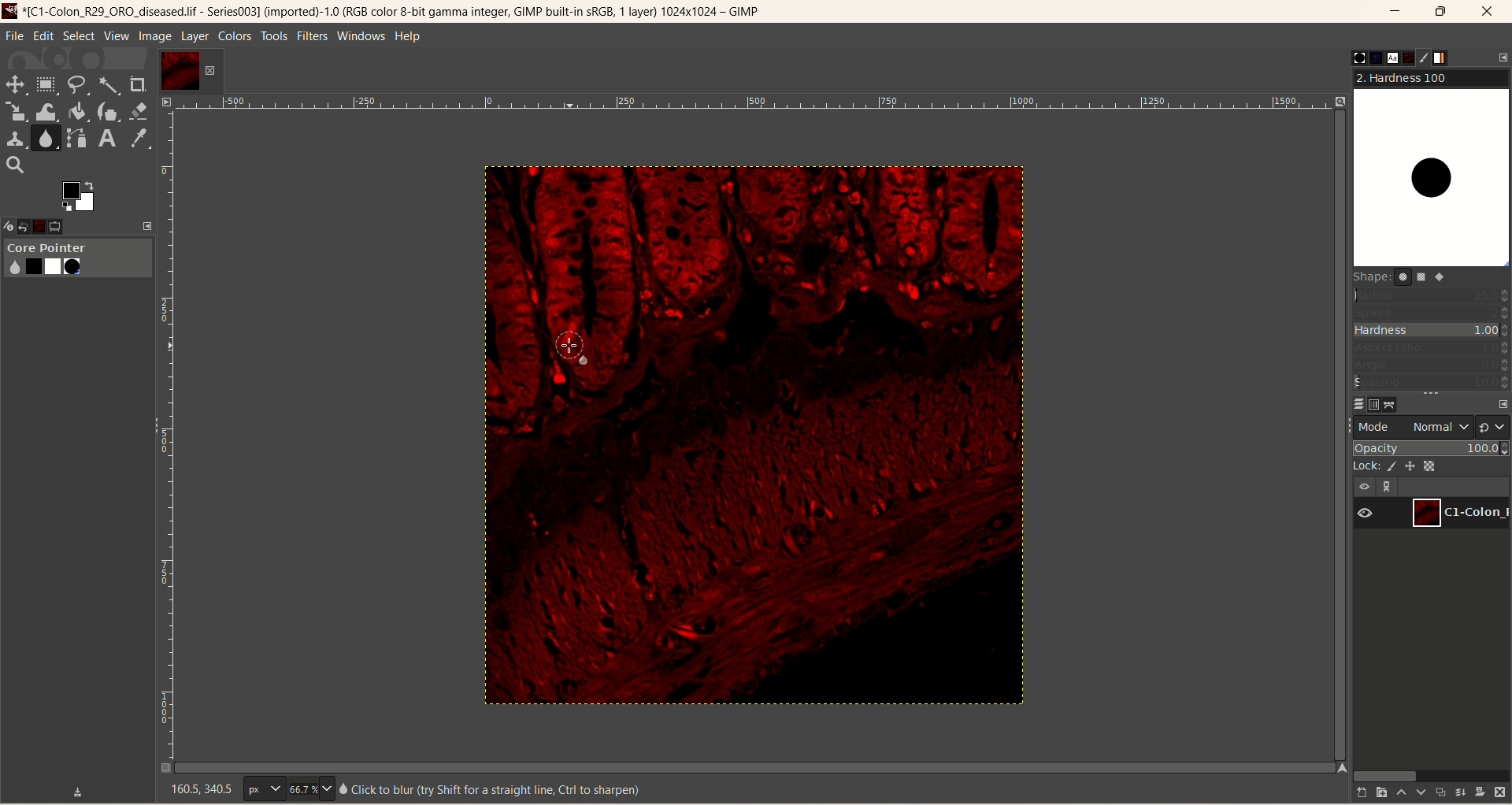 The width and height of the screenshot is (1512, 805). Describe the element at coordinates (754, 105) in the screenshot. I see `scale bar` at that location.